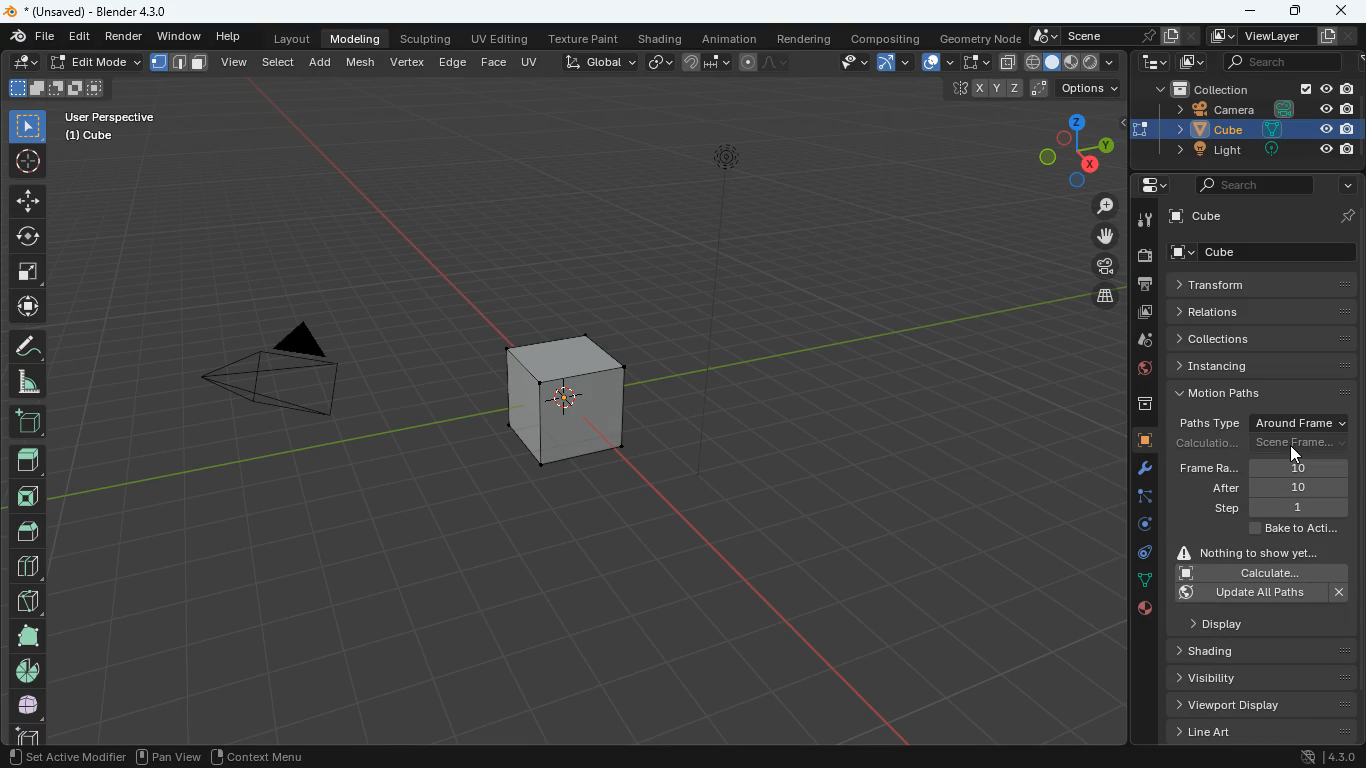 The height and width of the screenshot is (768, 1366). Describe the element at coordinates (888, 38) in the screenshot. I see `compositing` at that location.